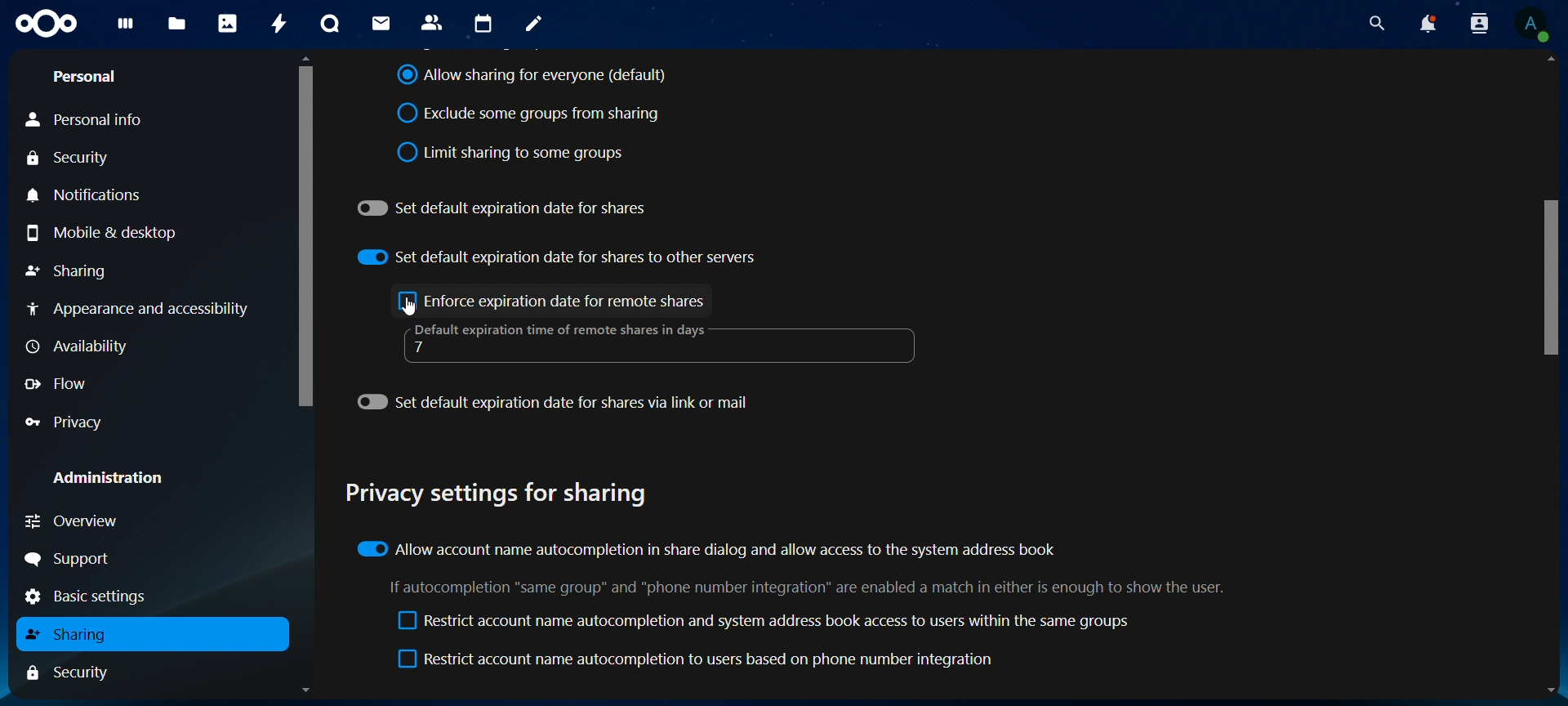 The image size is (1568, 706). I want to click on sharing, so click(75, 636).